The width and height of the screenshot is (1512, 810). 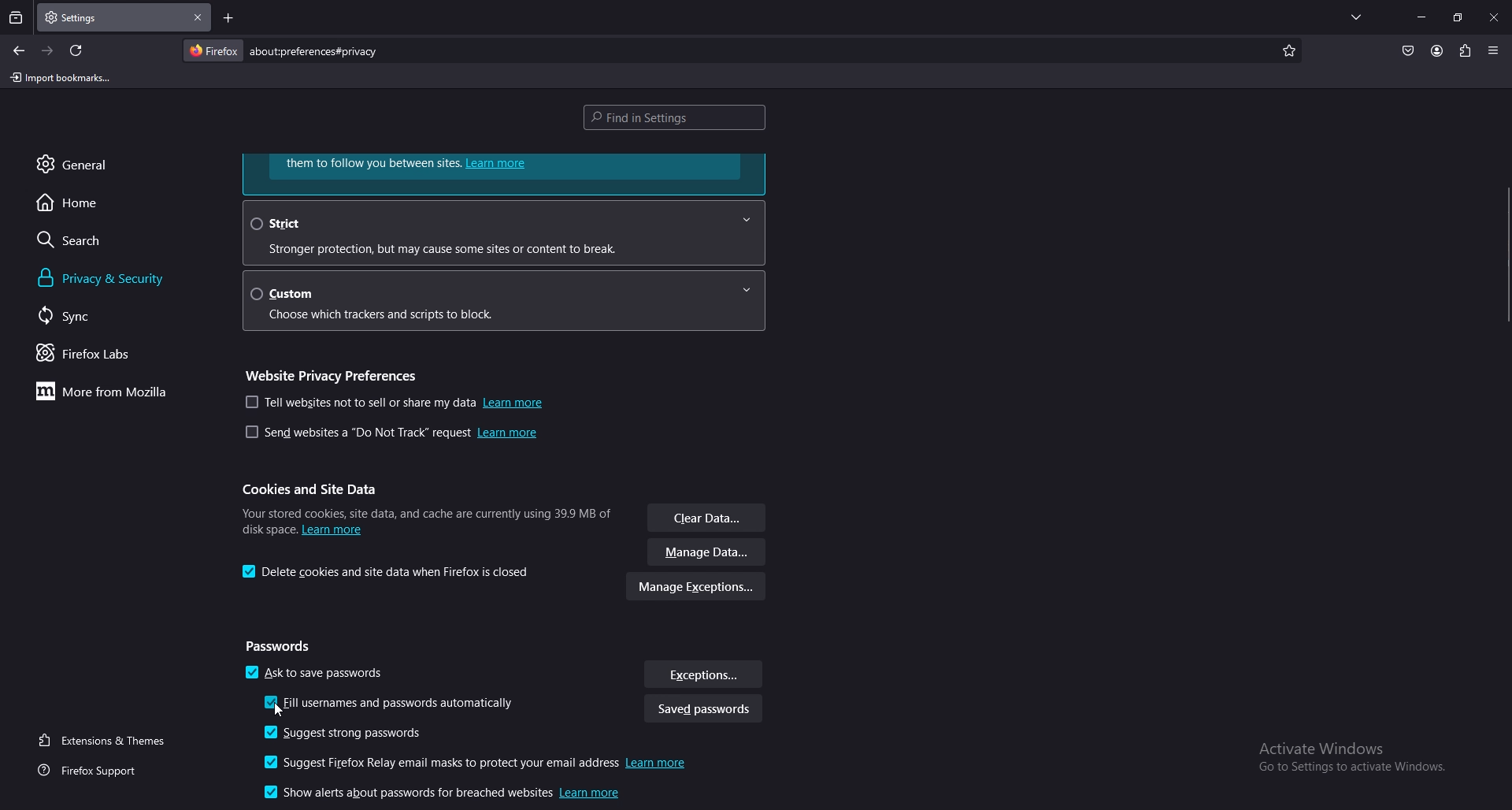 I want to click on scroll bar, so click(x=1503, y=253).